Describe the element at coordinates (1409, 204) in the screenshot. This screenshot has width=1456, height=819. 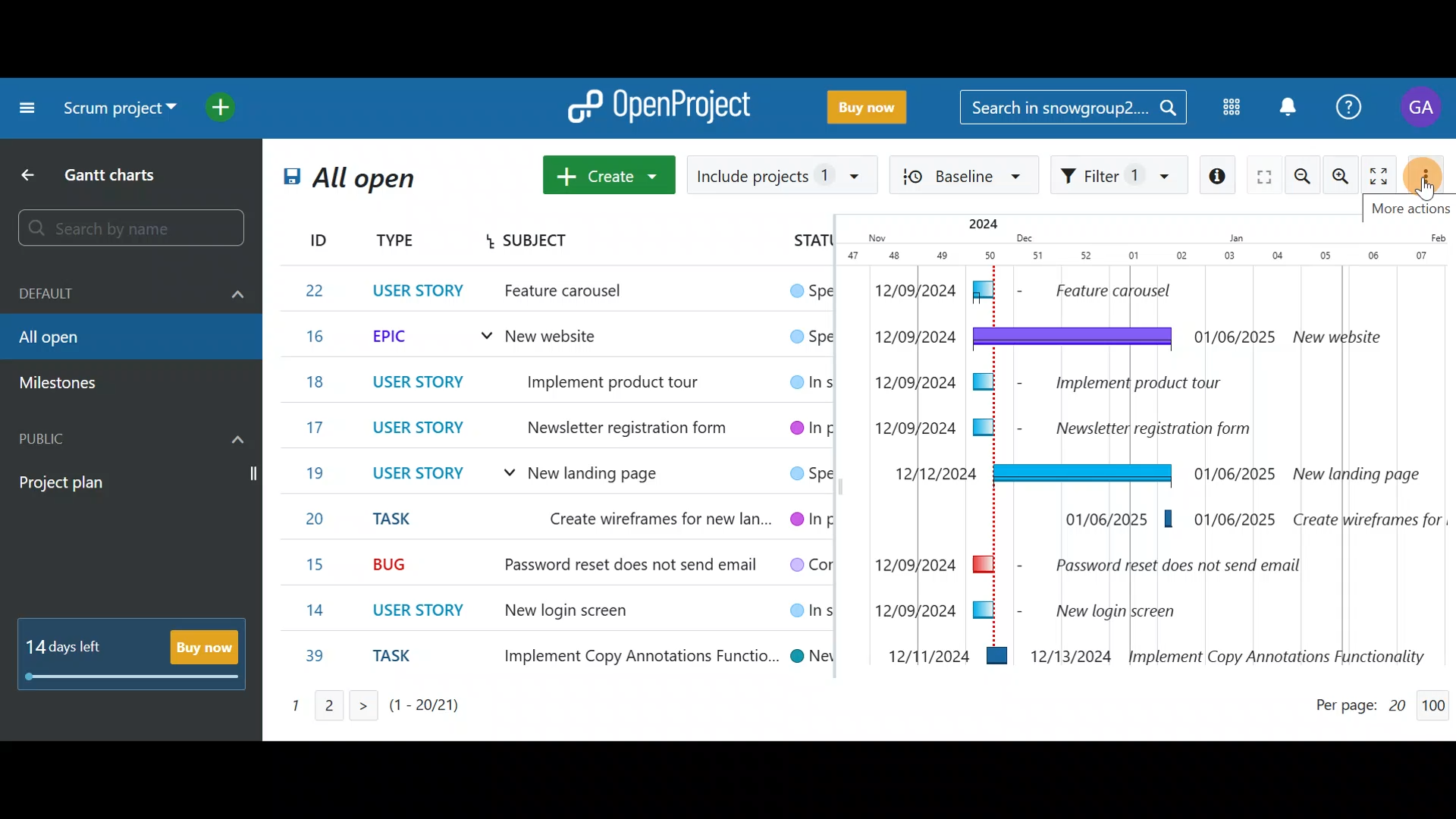
I see `More actions` at that location.